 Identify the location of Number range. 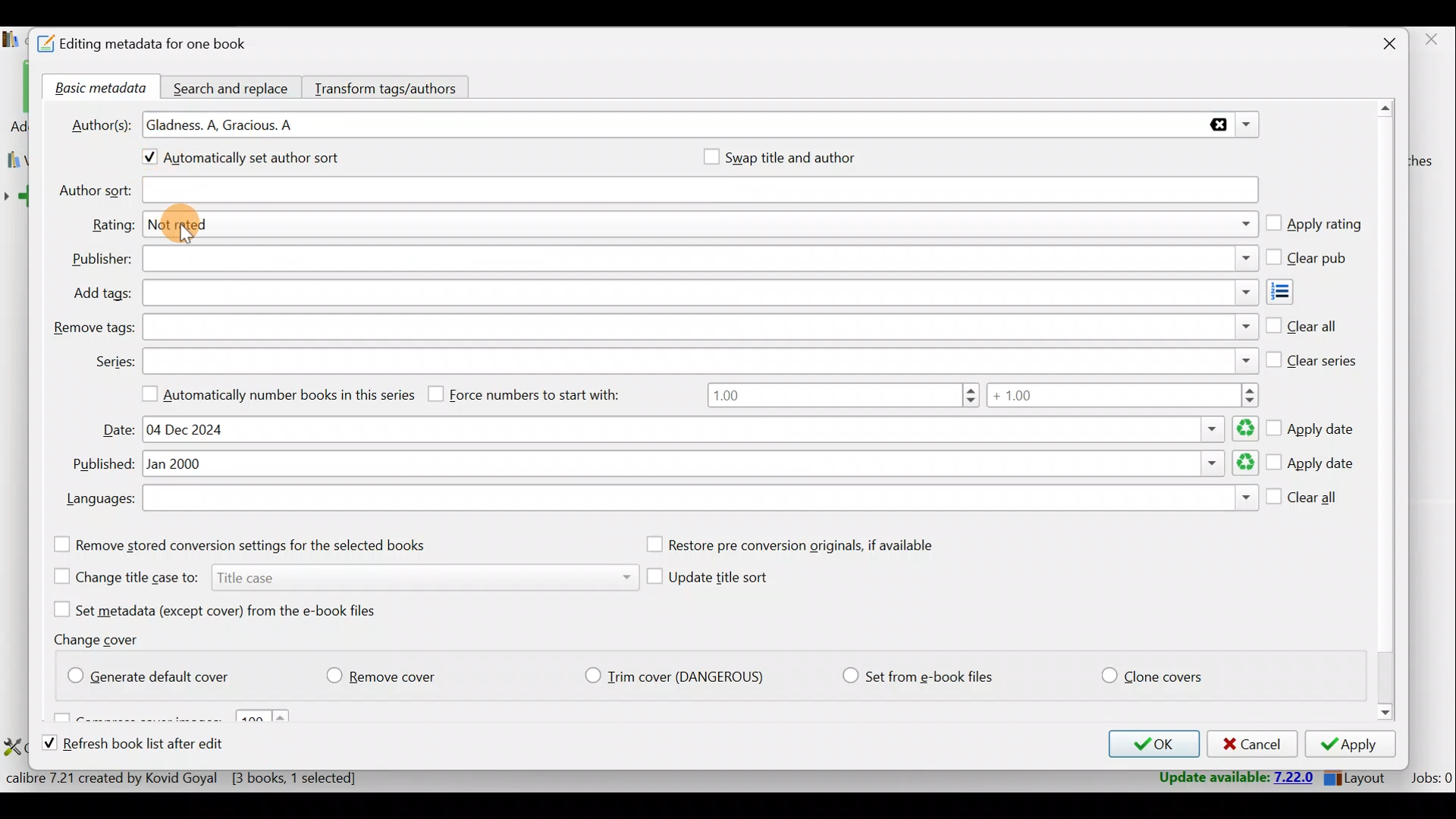
(982, 397).